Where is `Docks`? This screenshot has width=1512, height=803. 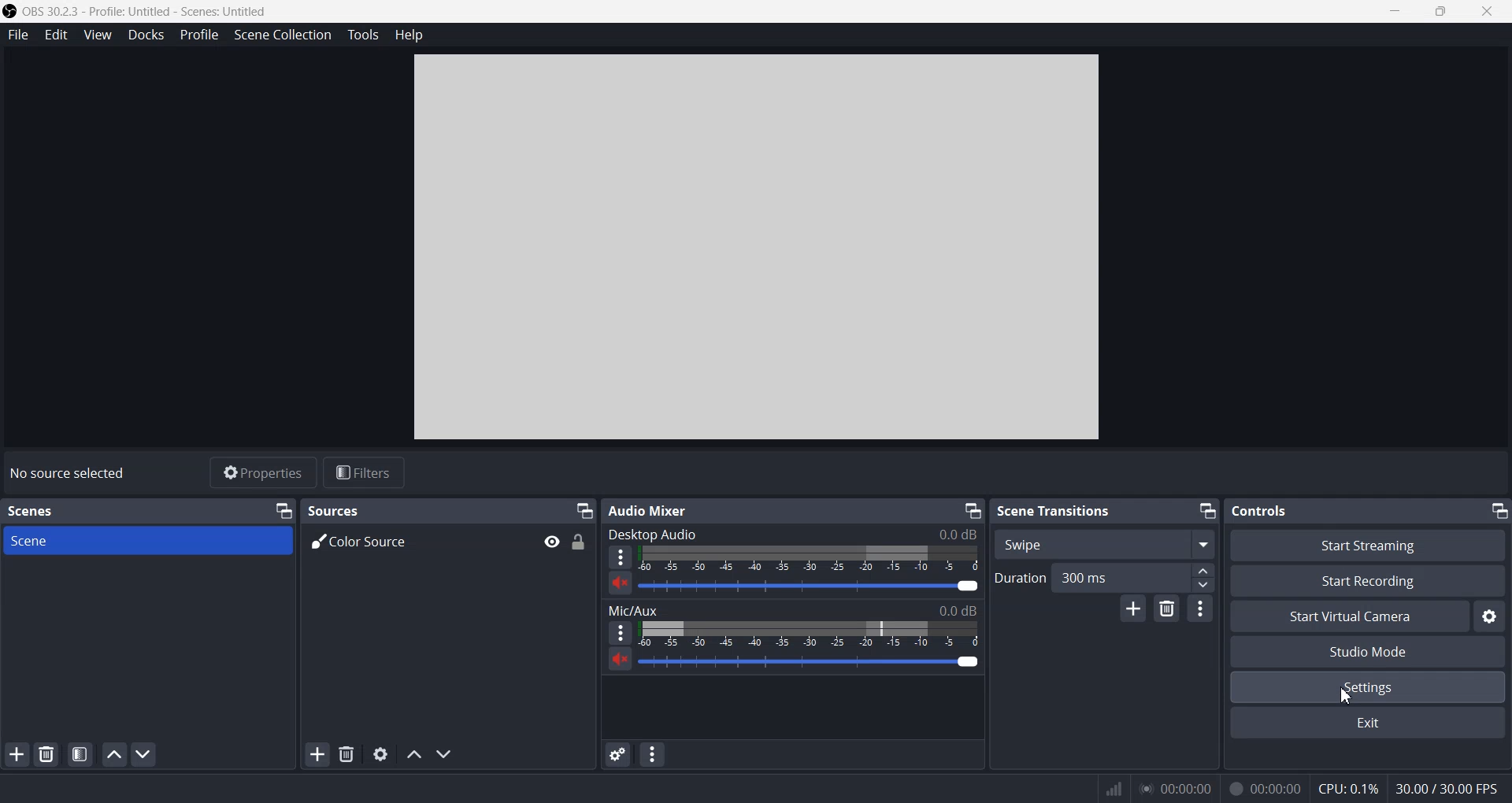 Docks is located at coordinates (146, 35).